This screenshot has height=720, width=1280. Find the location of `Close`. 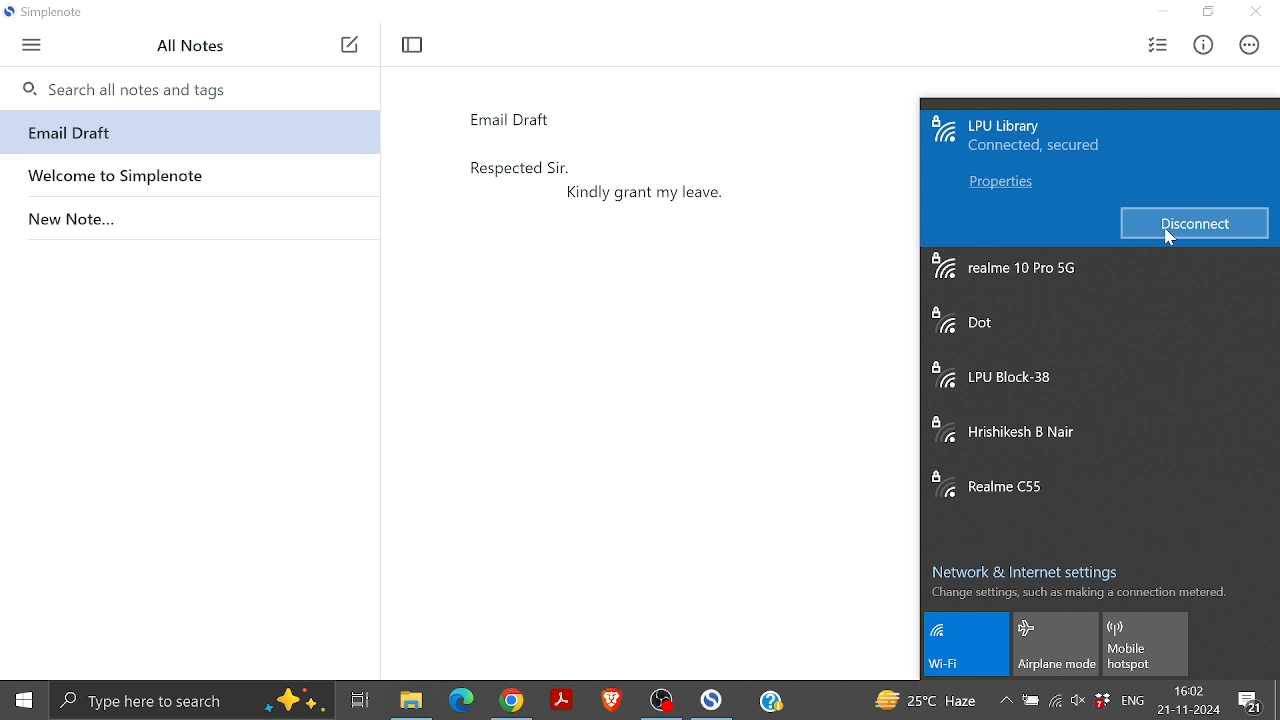

Close is located at coordinates (1254, 13).